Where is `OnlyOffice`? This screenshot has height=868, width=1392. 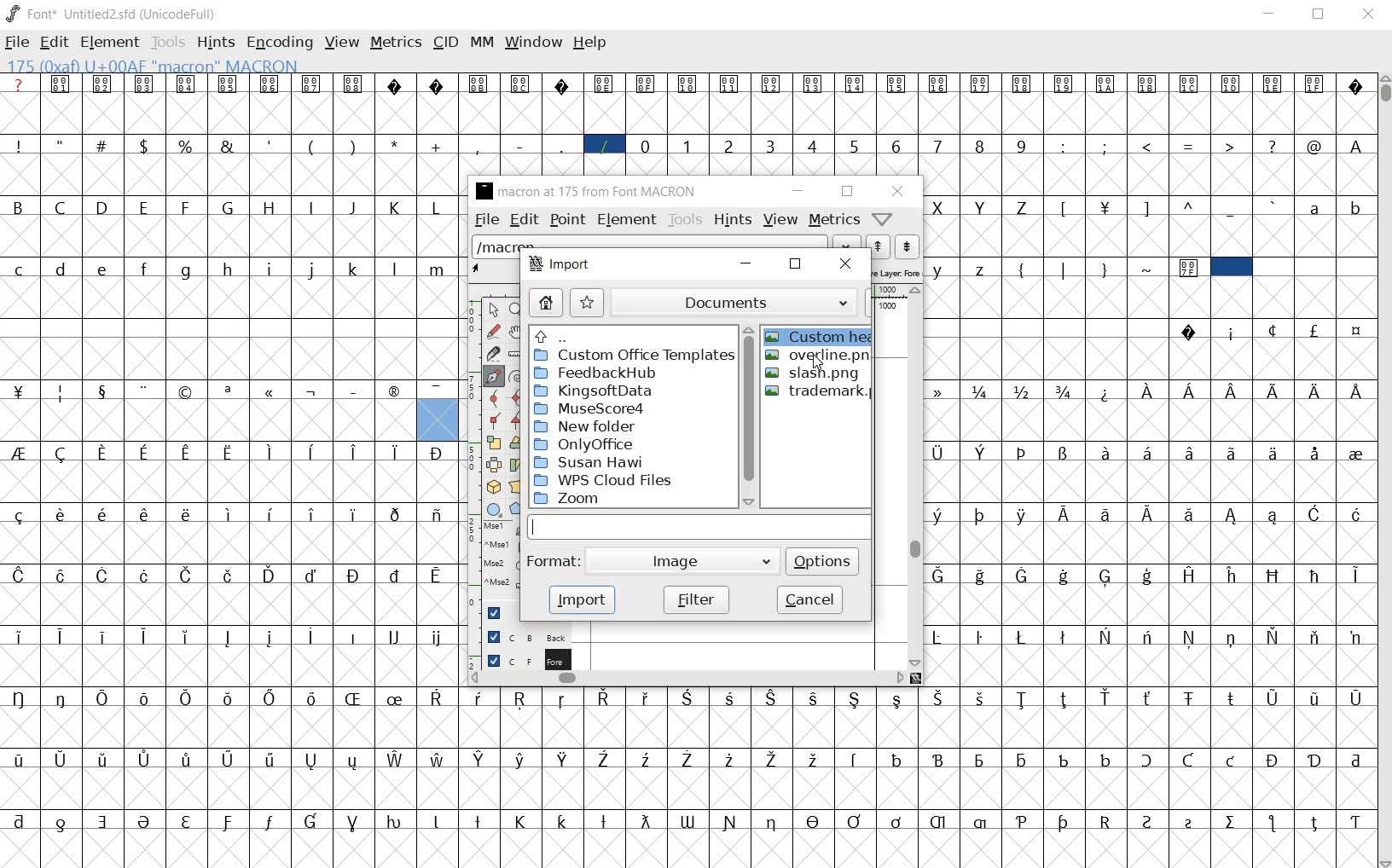
OnlyOffice is located at coordinates (629, 444).